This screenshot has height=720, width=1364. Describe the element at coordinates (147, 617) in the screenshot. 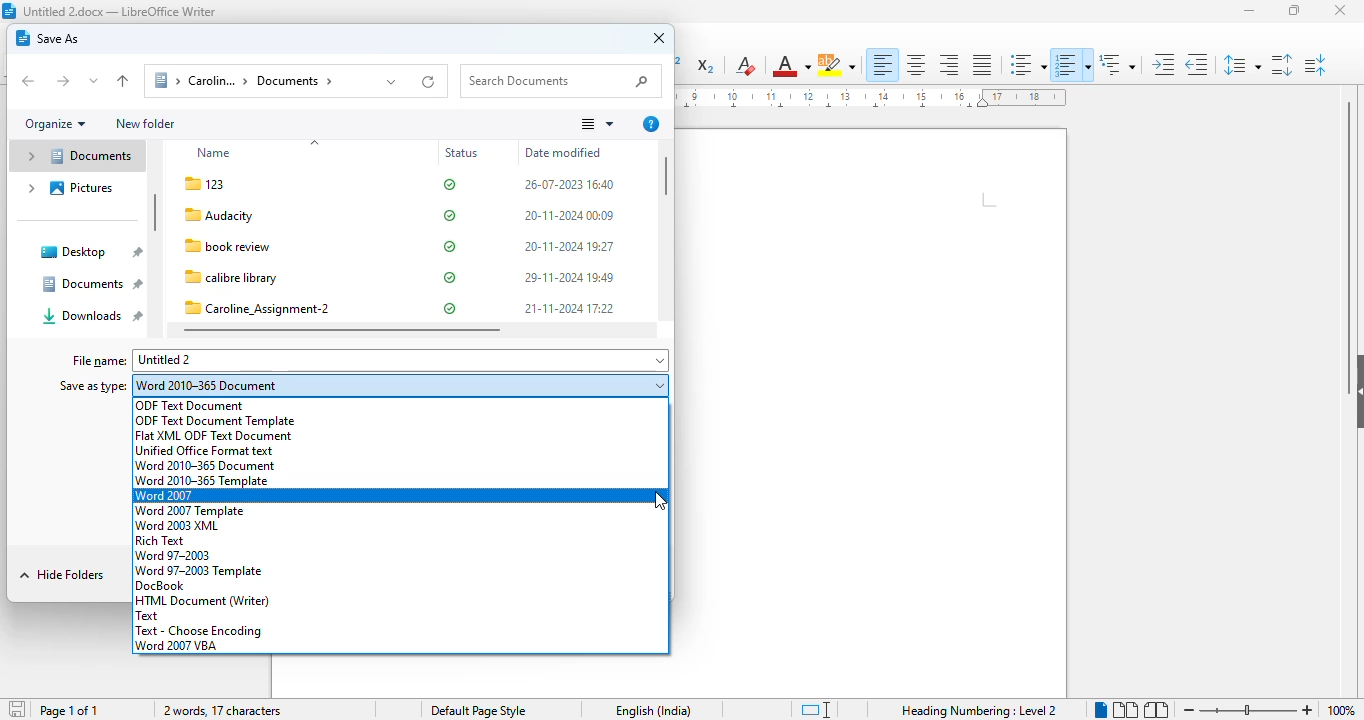

I see `text` at that location.